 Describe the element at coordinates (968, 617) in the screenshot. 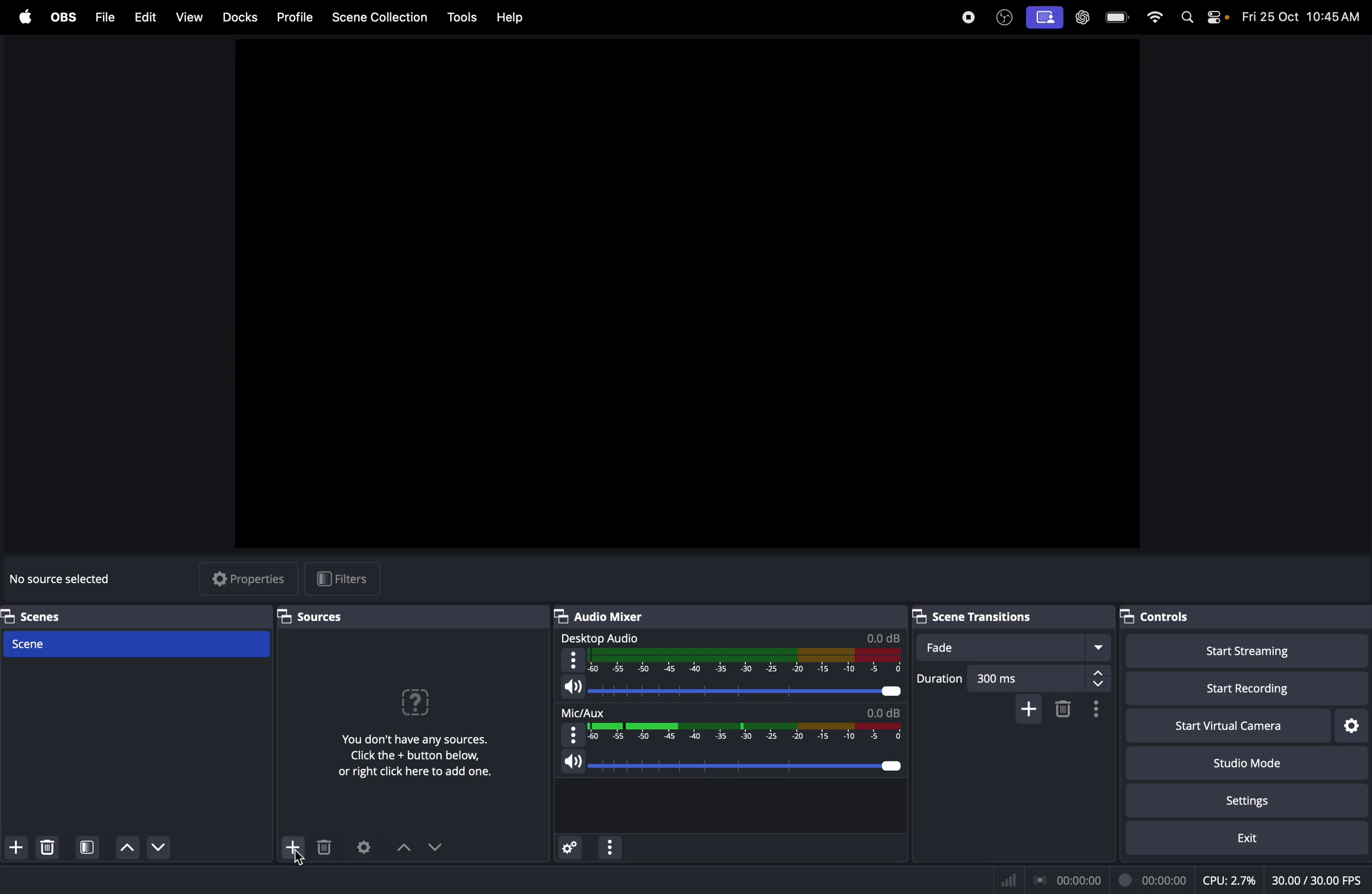

I see `Scene transitions` at that location.